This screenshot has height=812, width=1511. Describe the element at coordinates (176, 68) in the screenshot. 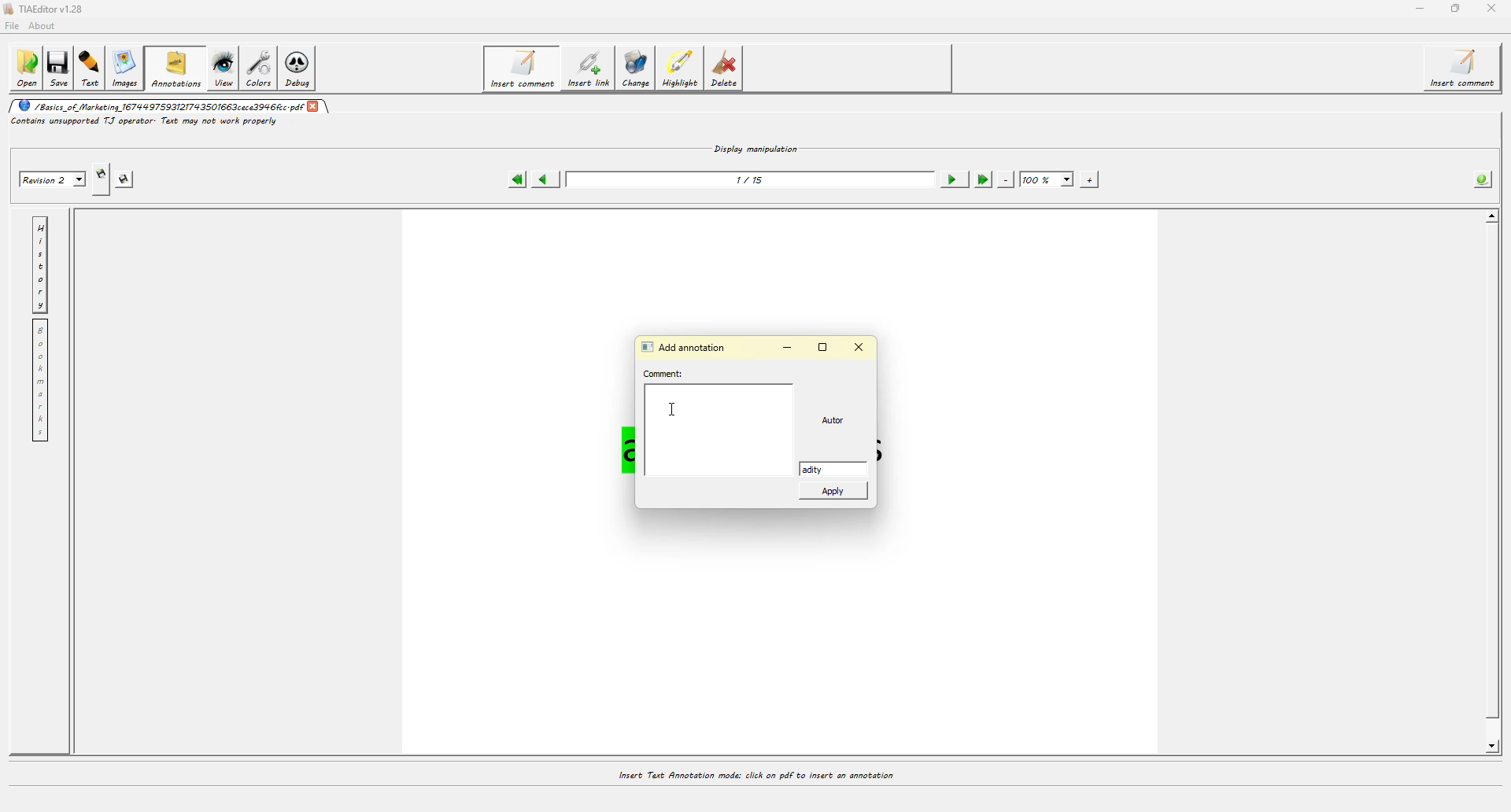

I see `annotations` at that location.